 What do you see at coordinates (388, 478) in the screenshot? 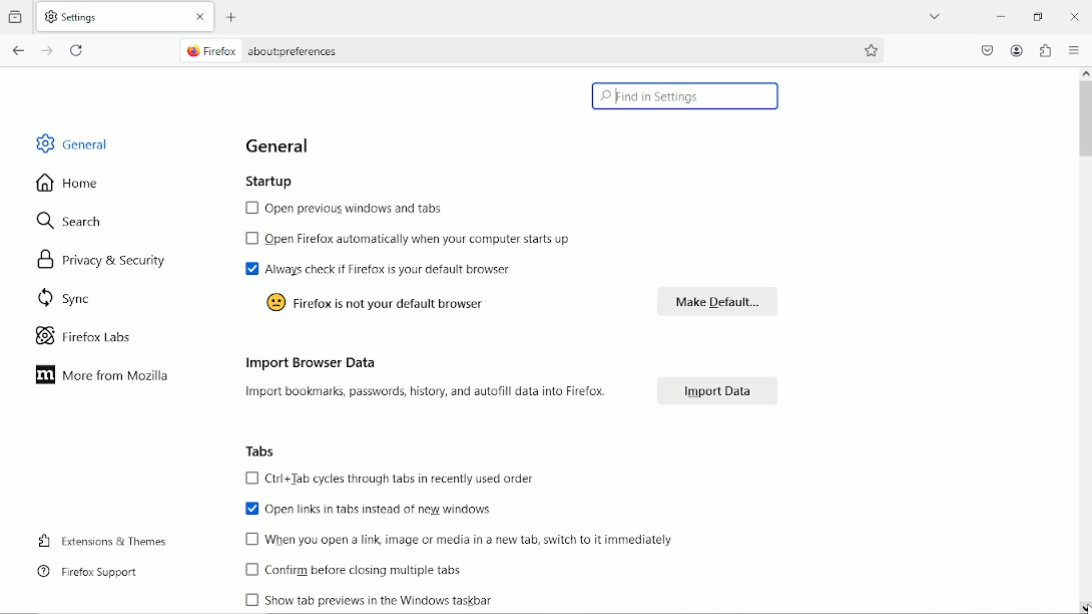
I see `Ctrl+Jab cycles through tabs in recently used order` at bounding box center [388, 478].